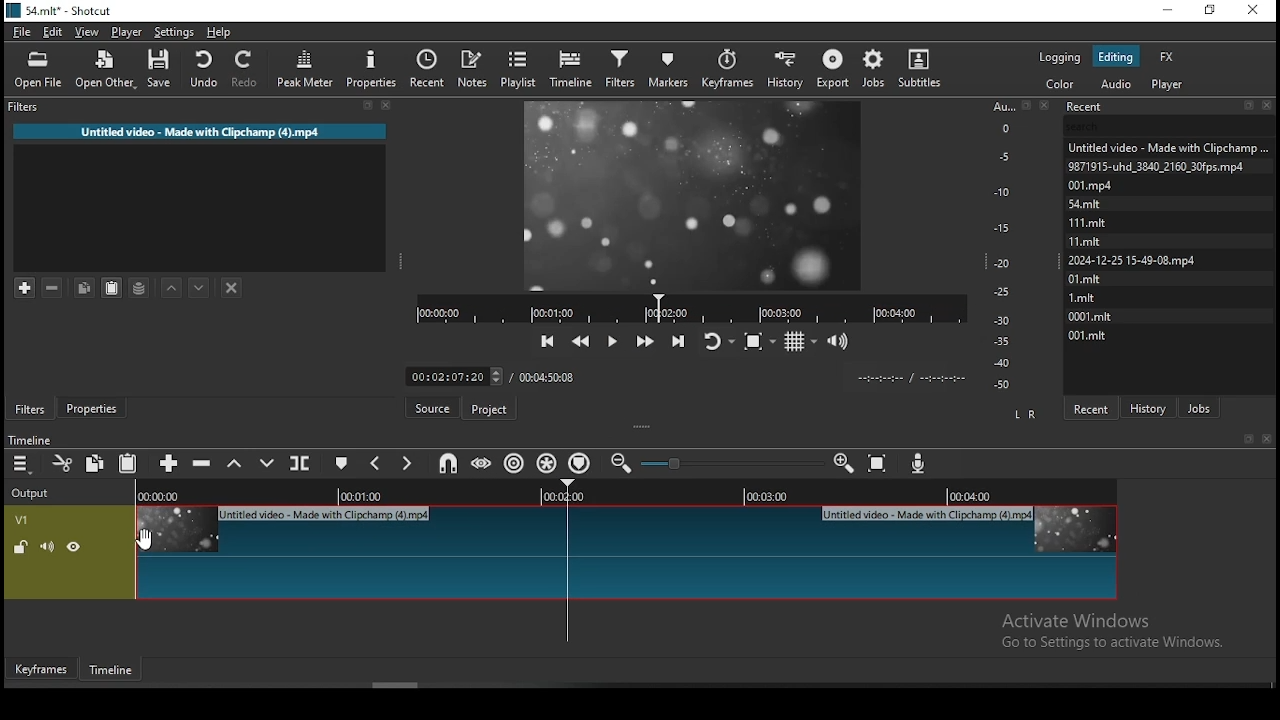  Describe the element at coordinates (305, 72) in the screenshot. I see `peak meter` at that location.